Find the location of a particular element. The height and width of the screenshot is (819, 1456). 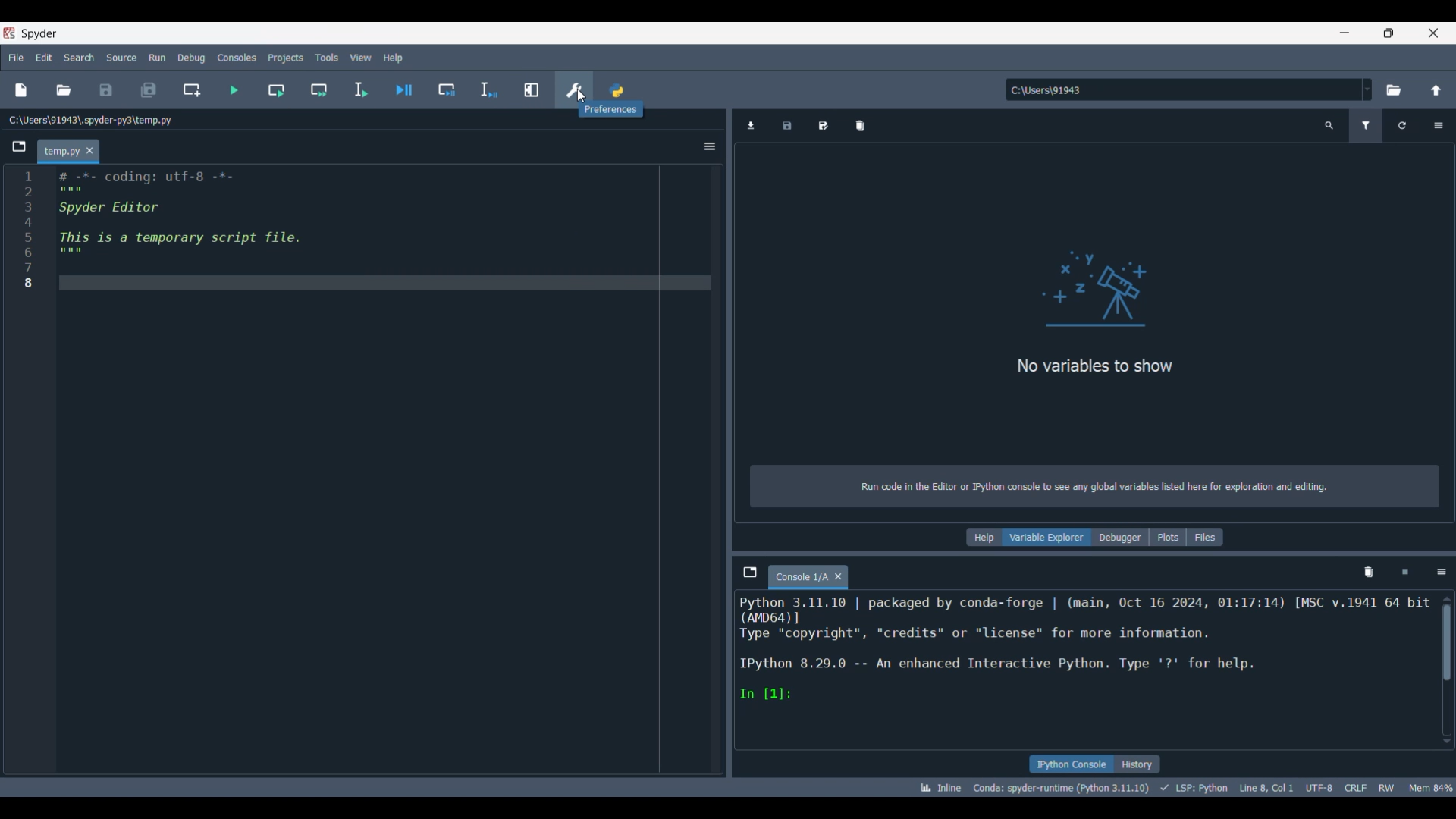

Help is located at coordinates (984, 537).